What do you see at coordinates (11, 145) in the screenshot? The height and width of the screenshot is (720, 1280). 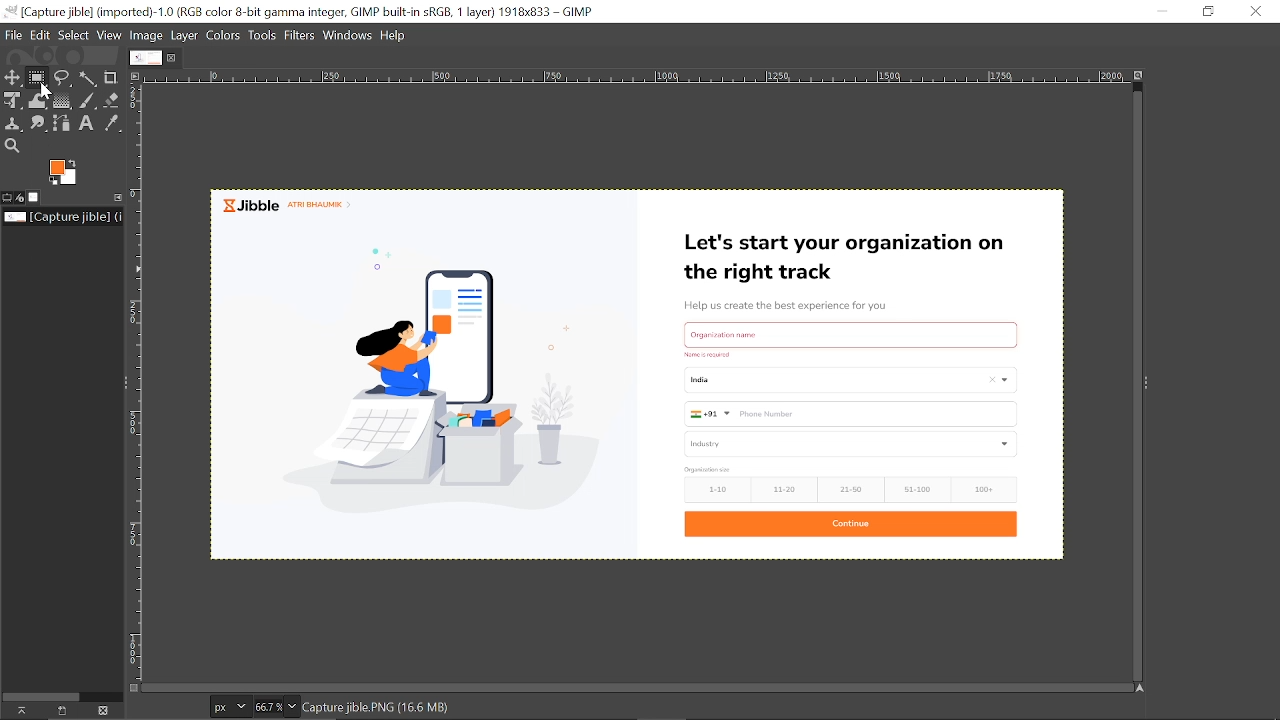 I see `Zoom tool` at bounding box center [11, 145].